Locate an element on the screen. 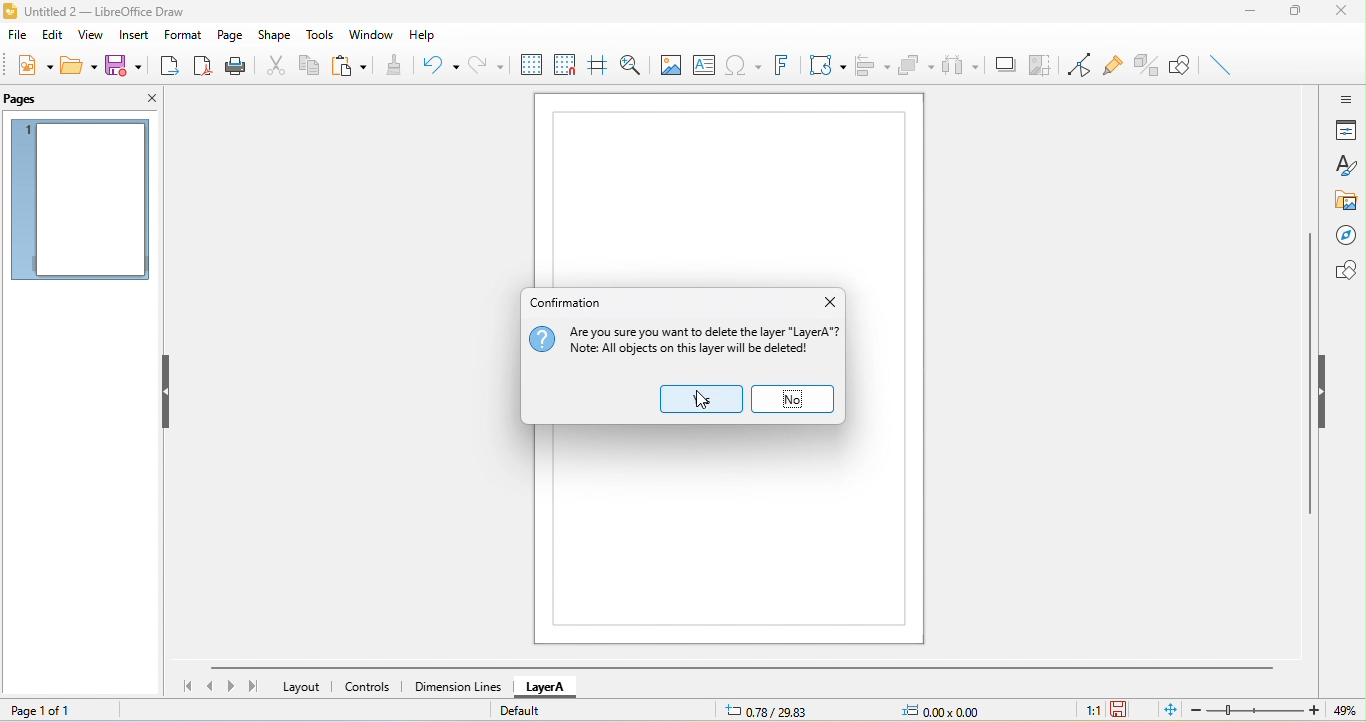 Image resolution: width=1366 pixels, height=722 pixels. icon is located at coordinates (541, 340).